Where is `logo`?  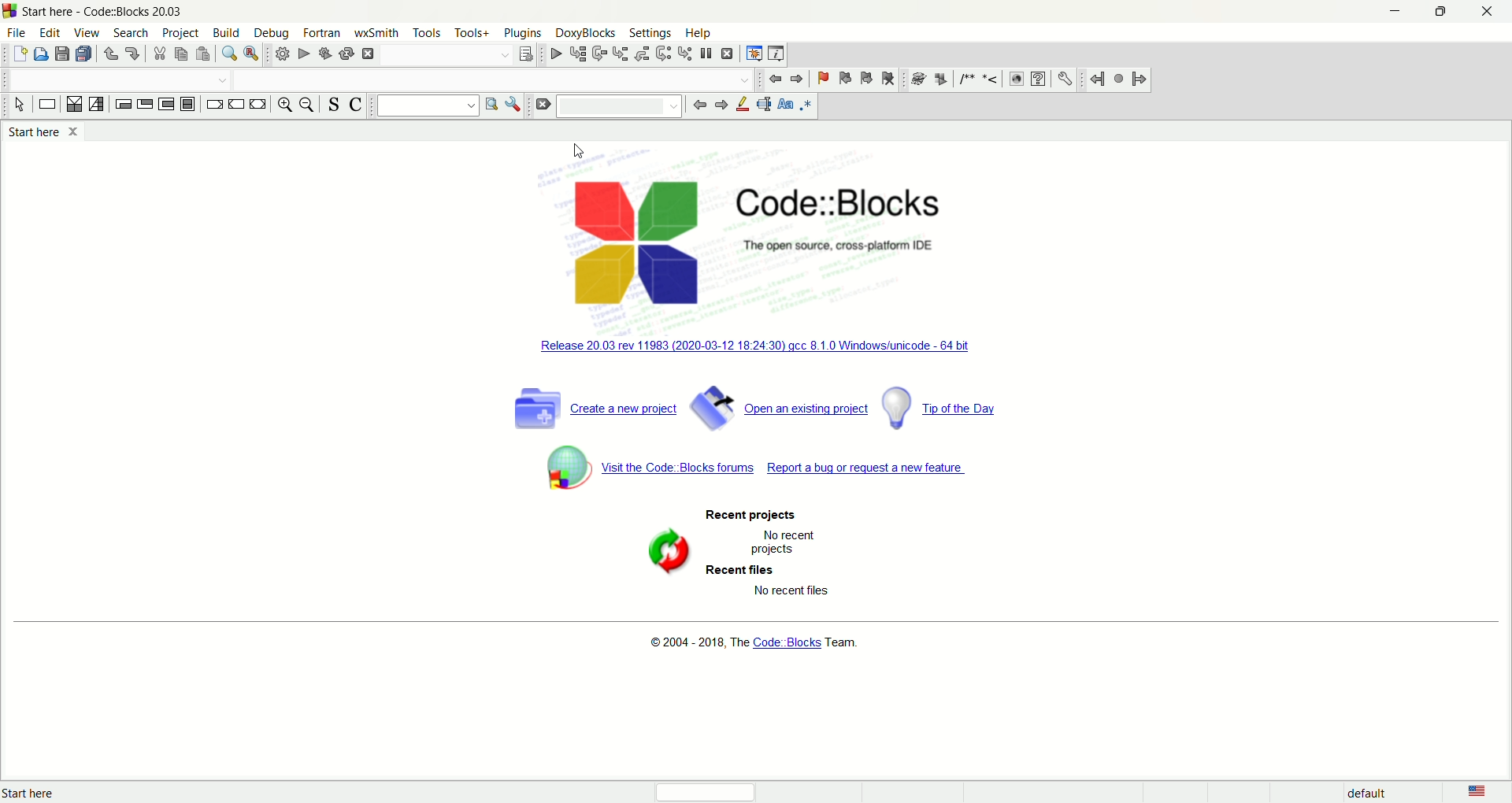
logo is located at coordinates (9, 12).